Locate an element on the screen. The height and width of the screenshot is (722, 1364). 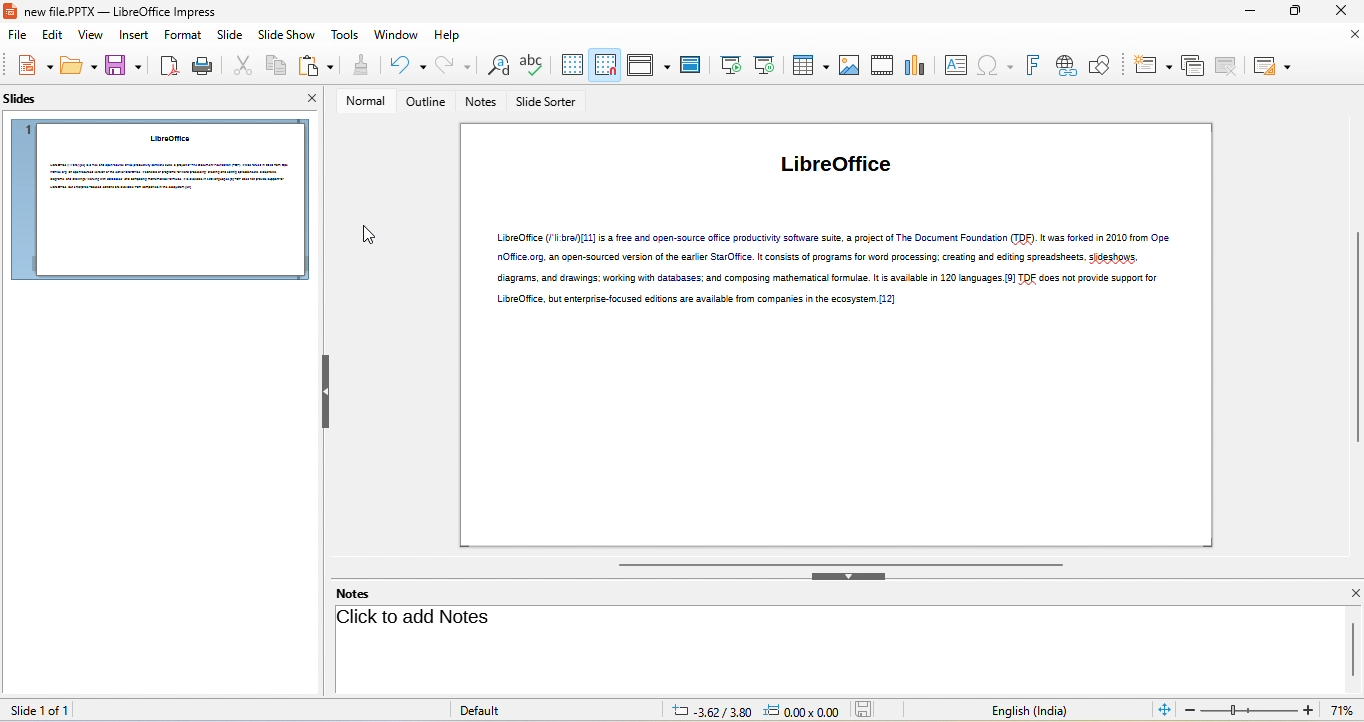
chart is located at coordinates (914, 67).